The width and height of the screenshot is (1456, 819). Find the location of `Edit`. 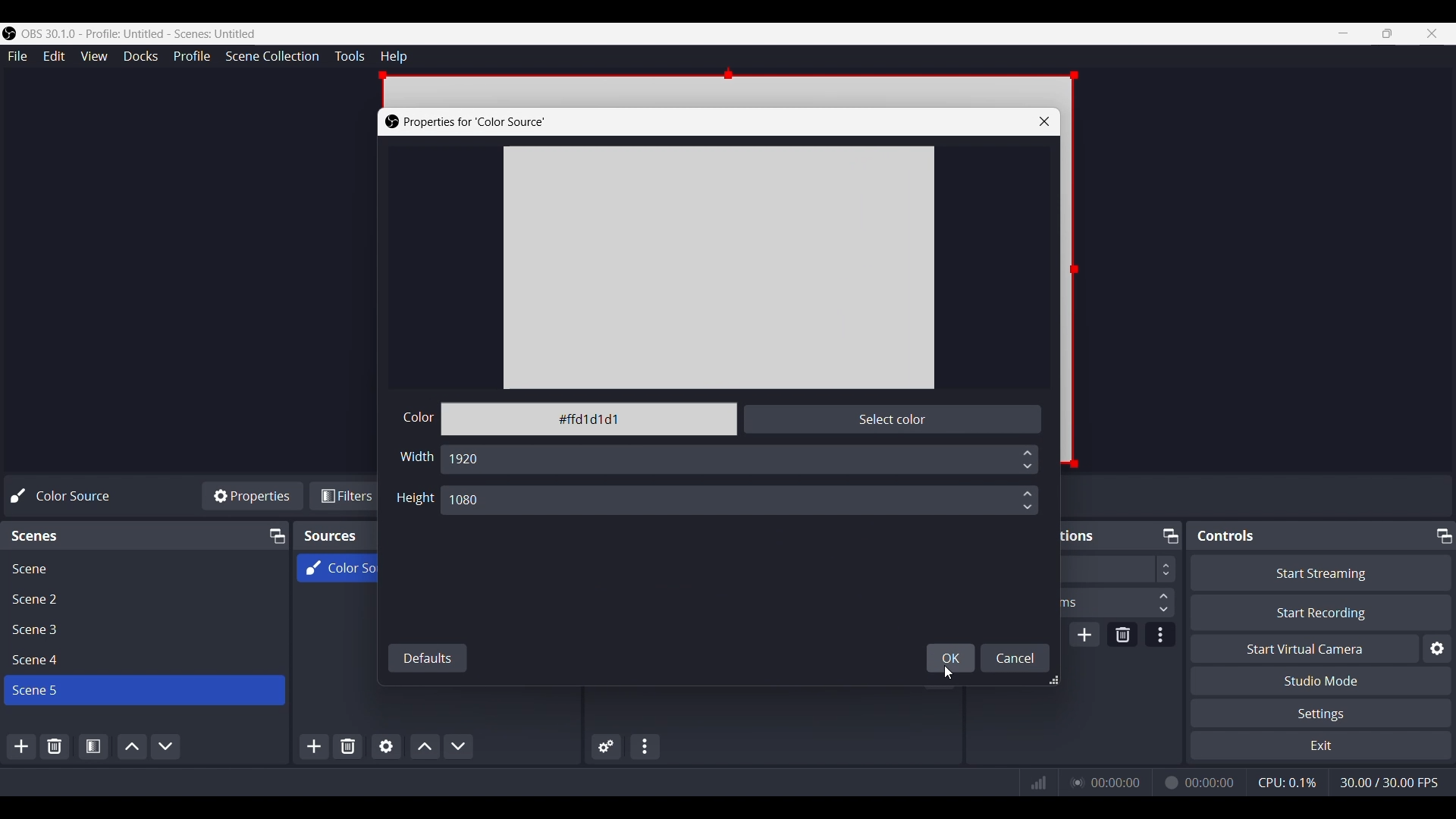

Edit is located at coordinates (53, 55).